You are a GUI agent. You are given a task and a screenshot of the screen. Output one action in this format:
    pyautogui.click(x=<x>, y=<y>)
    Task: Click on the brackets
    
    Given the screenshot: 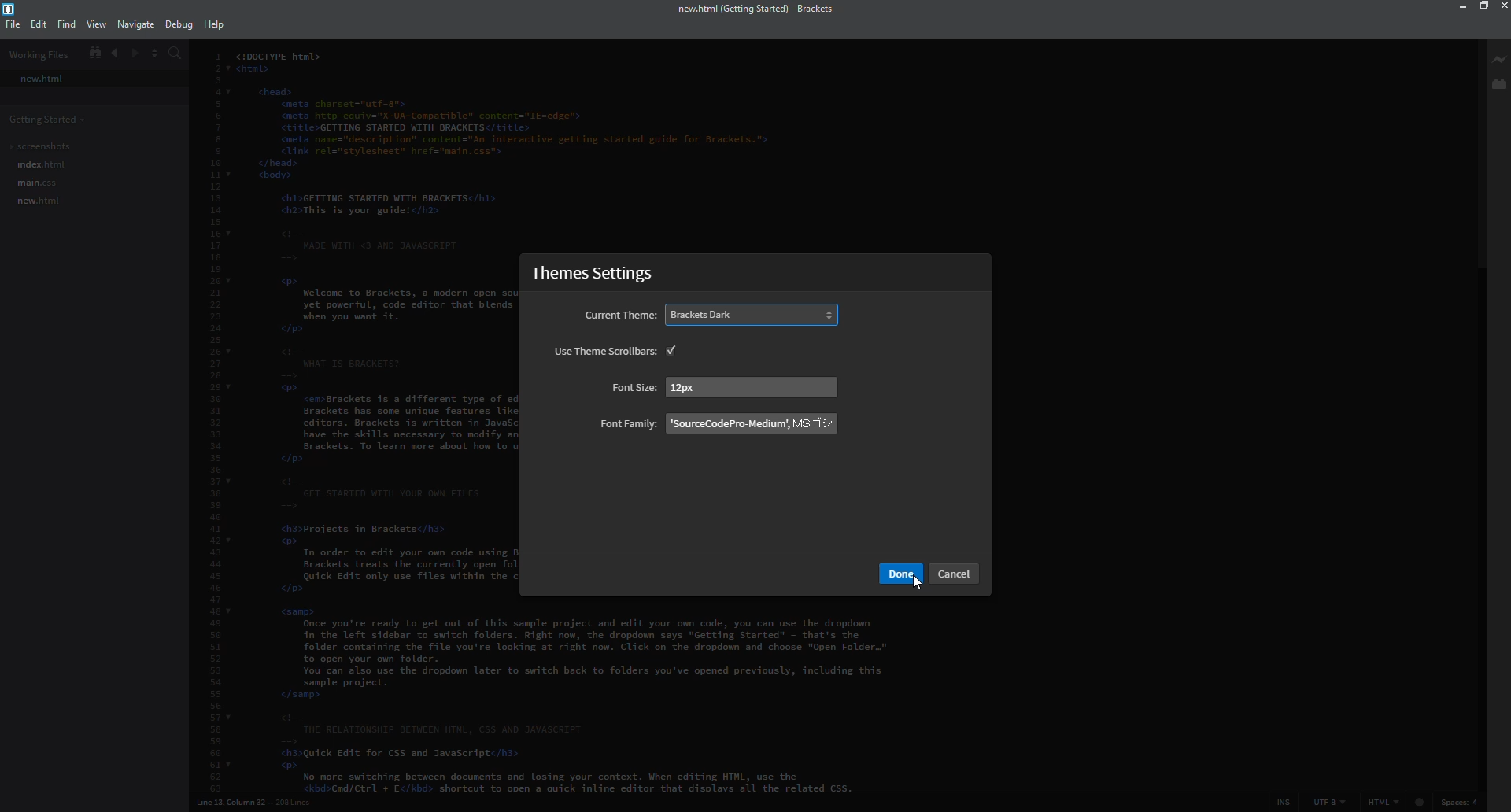 What is the action you would take?
    pyautogui.click(x=12, y=9)
    